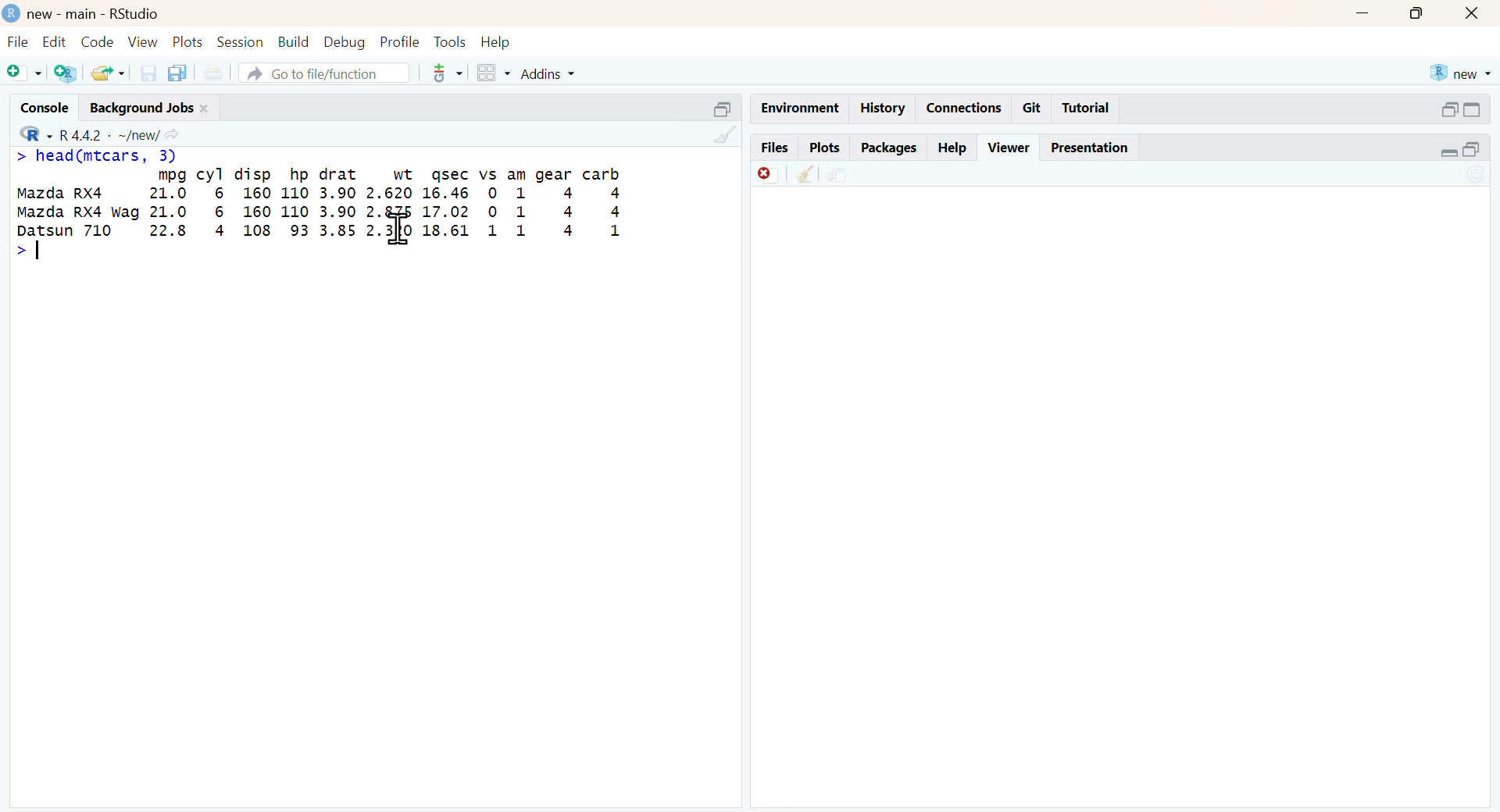  Describe the element at coordinates (63, 73) in the screenshot. I see `Create new project` at that location.